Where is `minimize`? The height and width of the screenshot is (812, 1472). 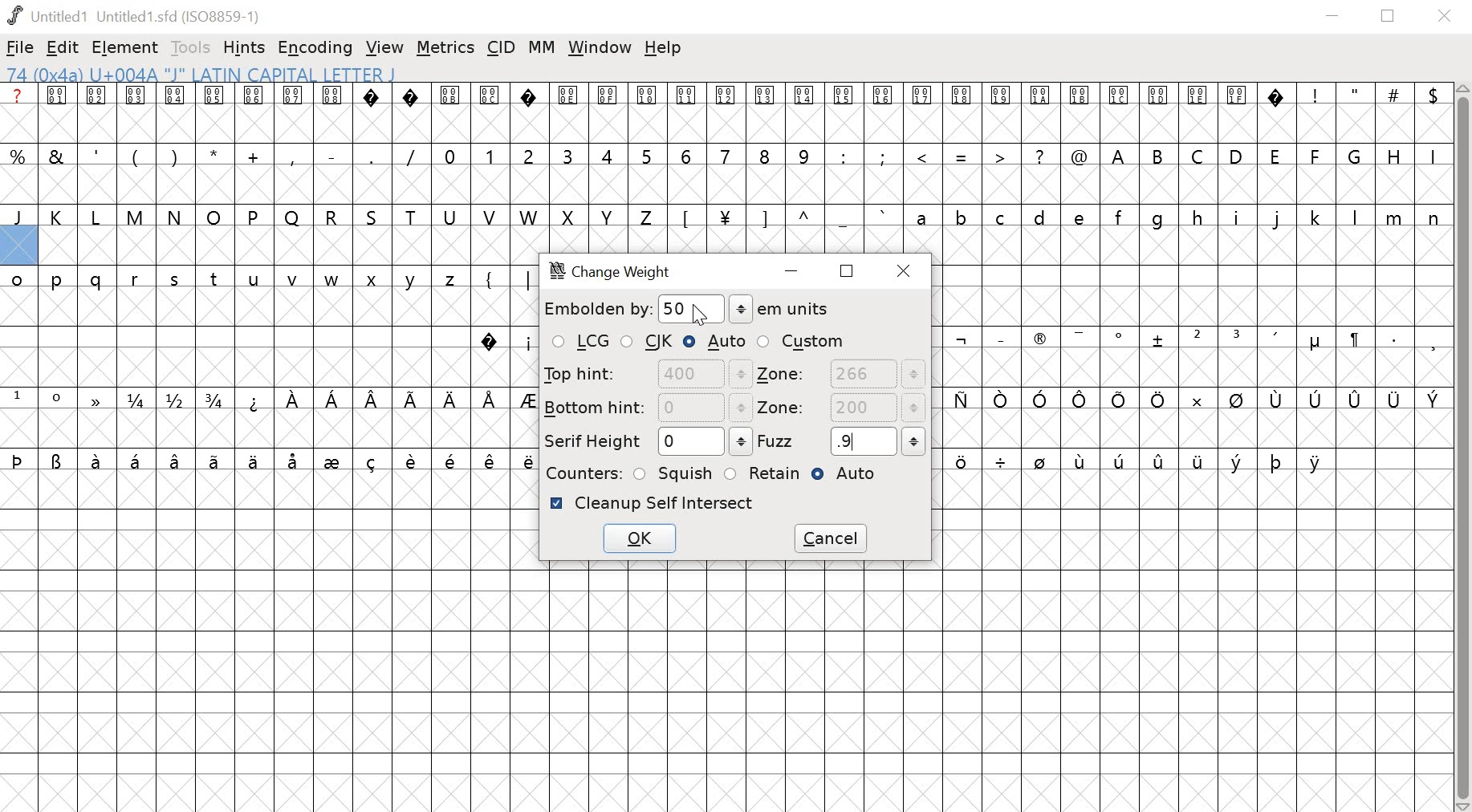
minimize is located at coordinates (795, 273).